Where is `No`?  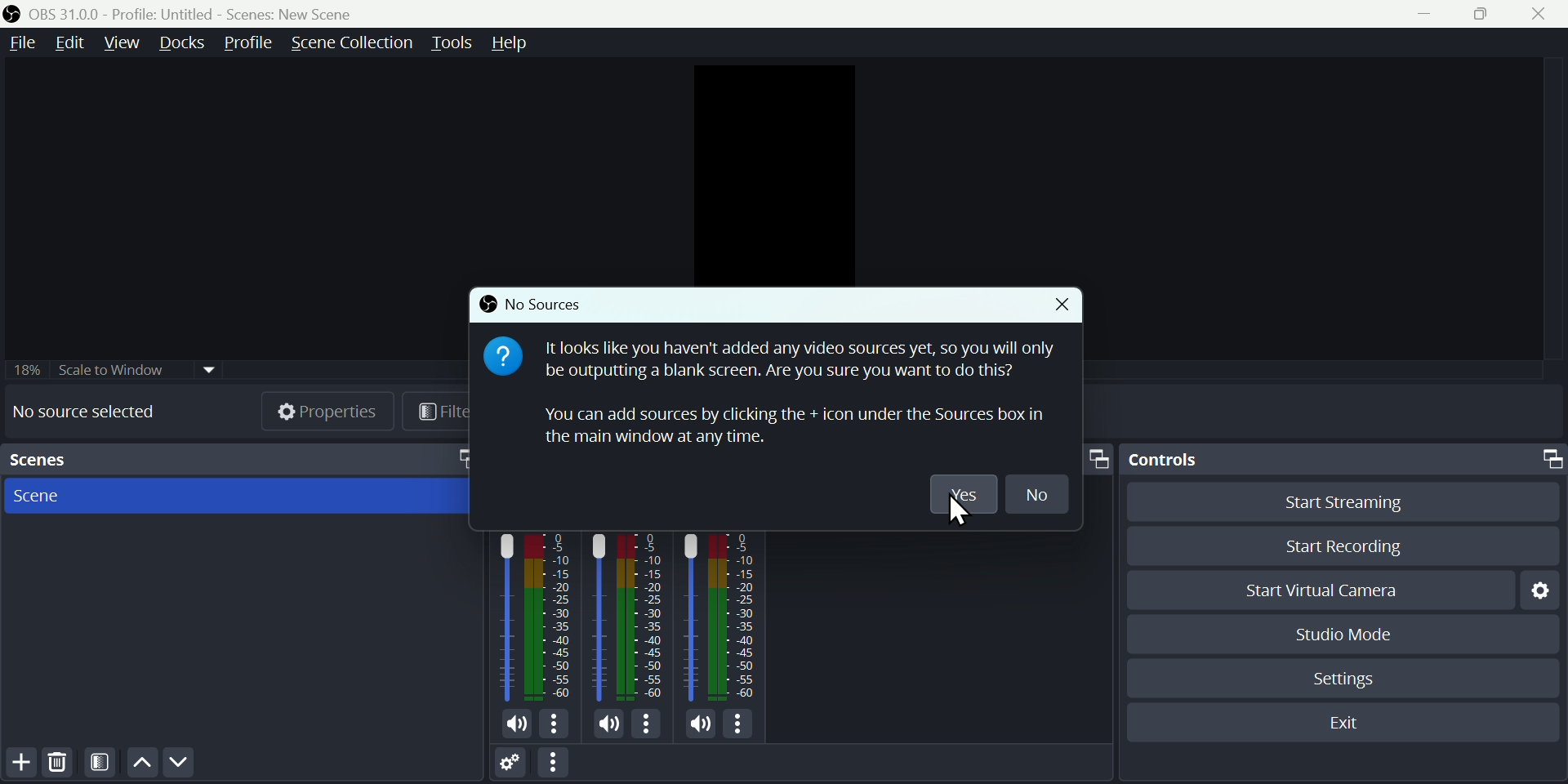 No is located at coordinates (1037, 492).